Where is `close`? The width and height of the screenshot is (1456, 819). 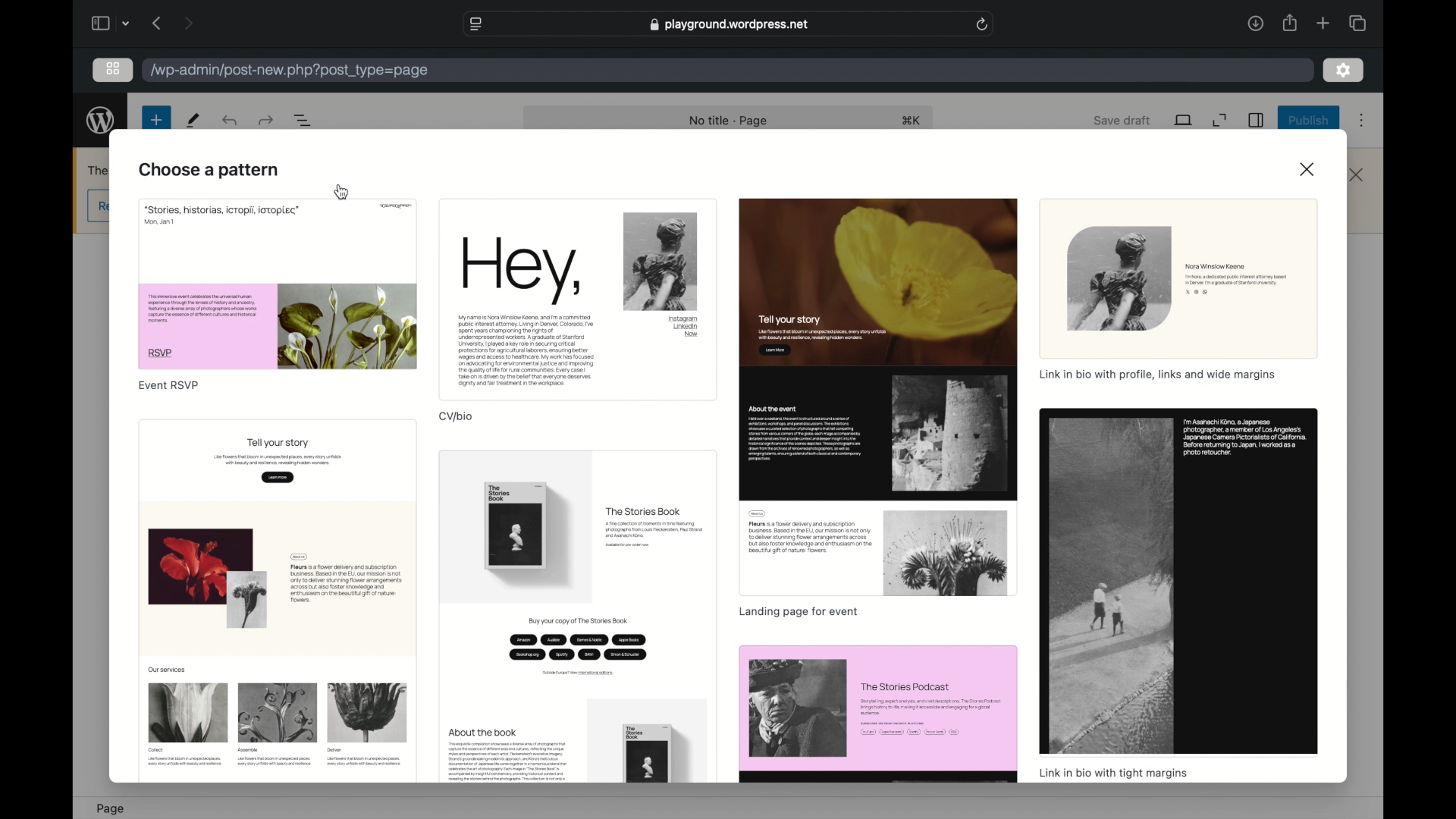 close is located at coordinates (1309, 169).